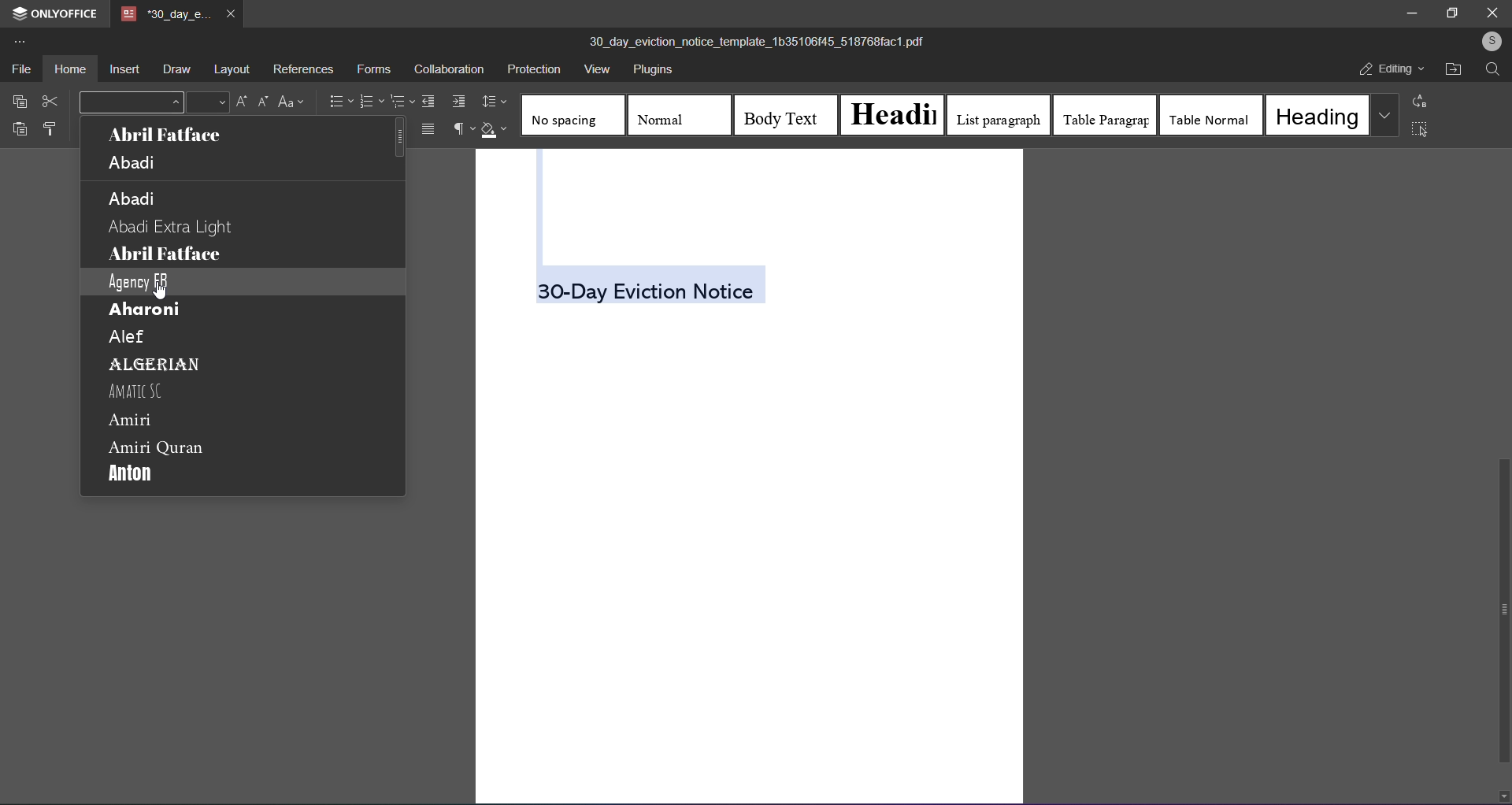 This screenshot has height=805, width=1512. Describe the element at coordinates (402, 139) in the screenshot. I see `Scroll bar` at that location.